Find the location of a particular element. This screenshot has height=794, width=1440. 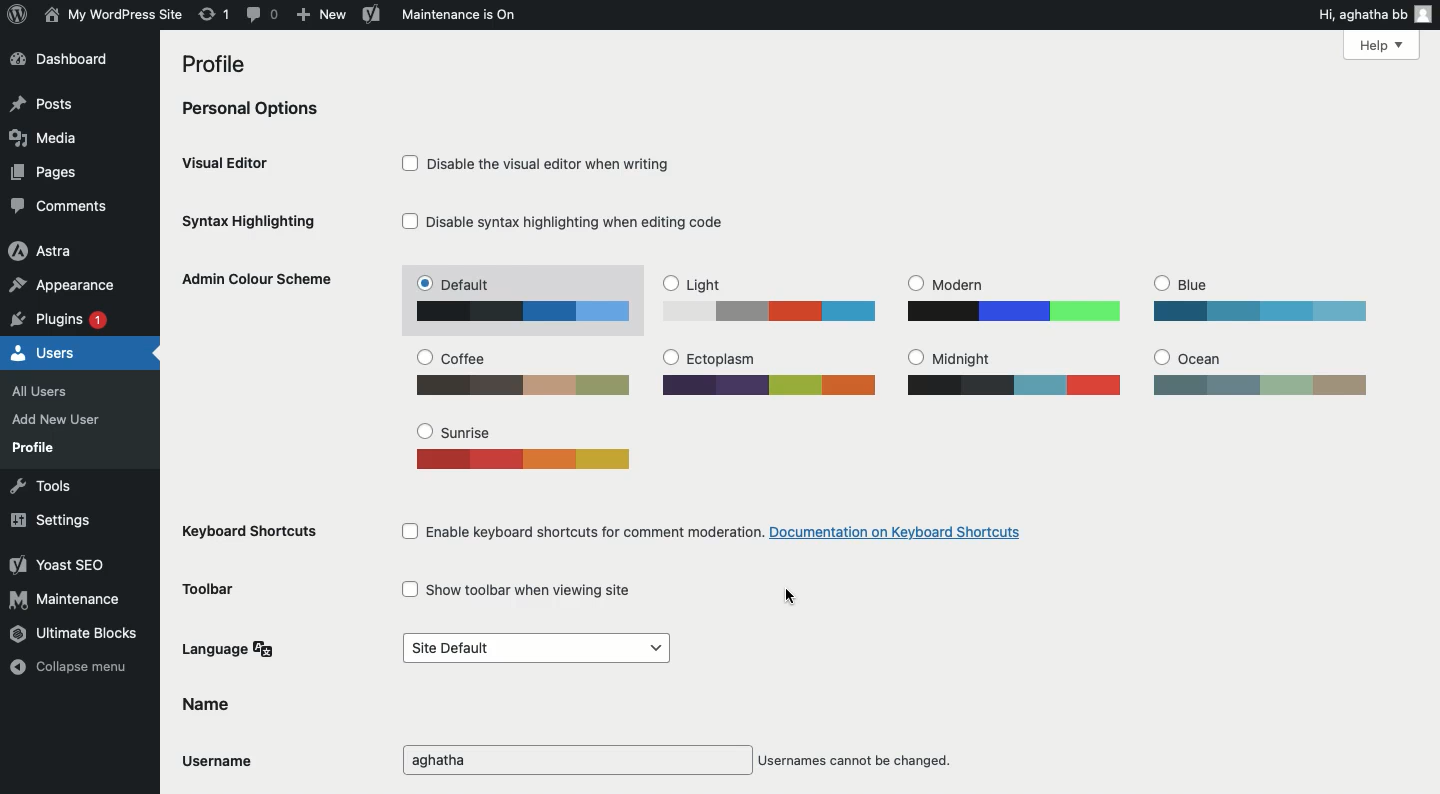

Midnight is located at coordinates (1018, 372).